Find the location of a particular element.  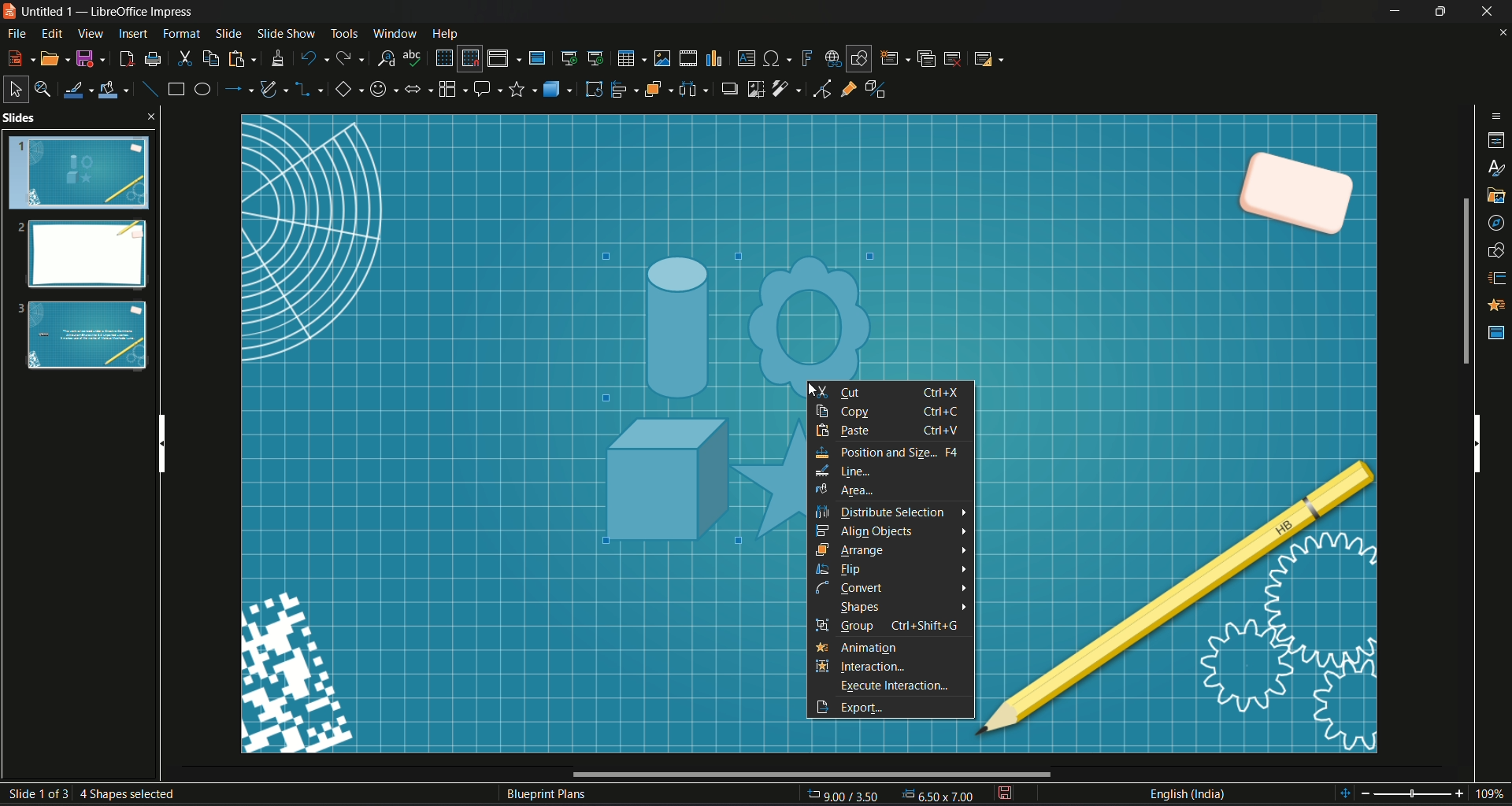

File is located at coordinates (17, 35).